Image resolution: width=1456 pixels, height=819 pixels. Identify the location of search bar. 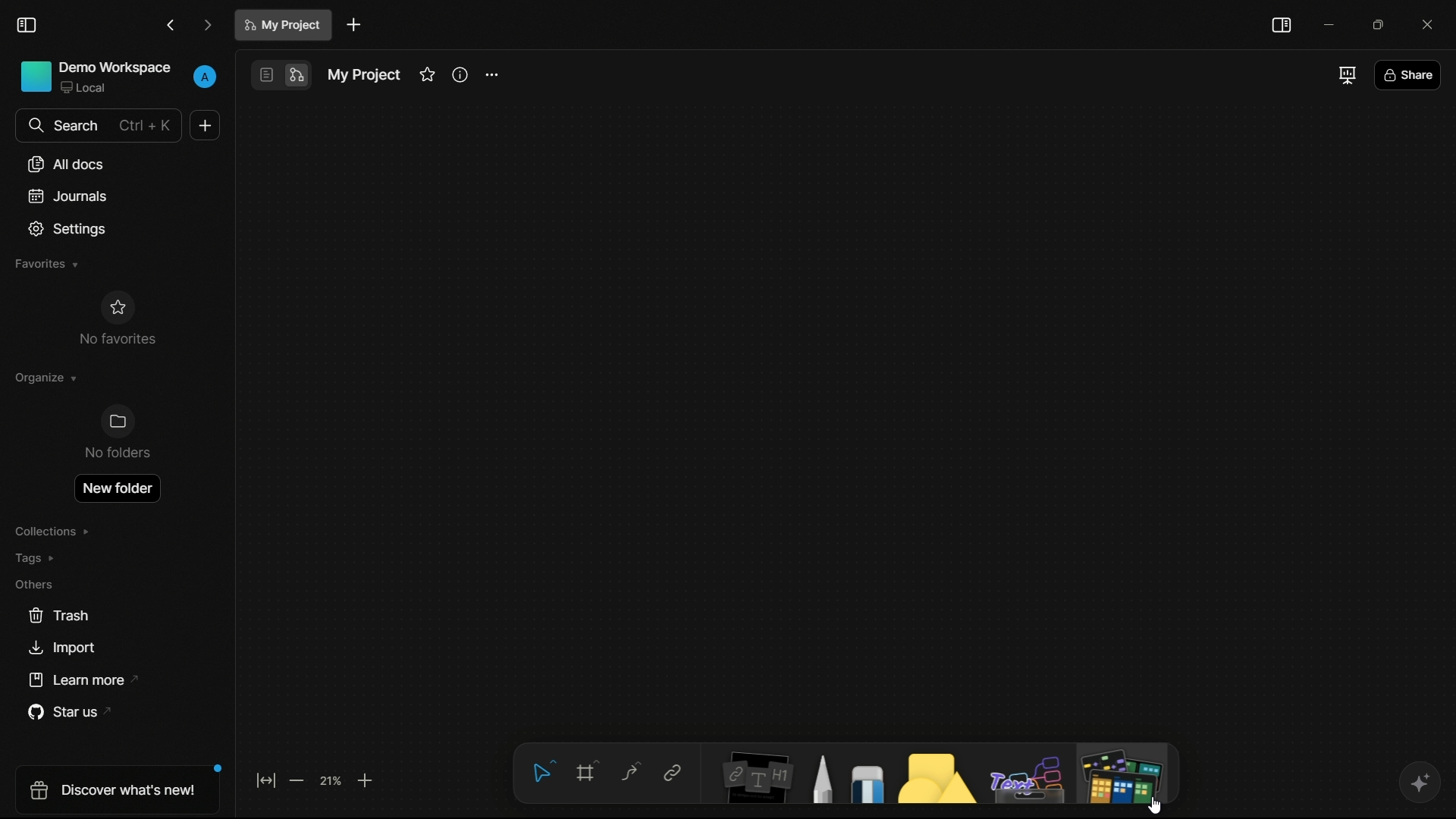
(99, 126).